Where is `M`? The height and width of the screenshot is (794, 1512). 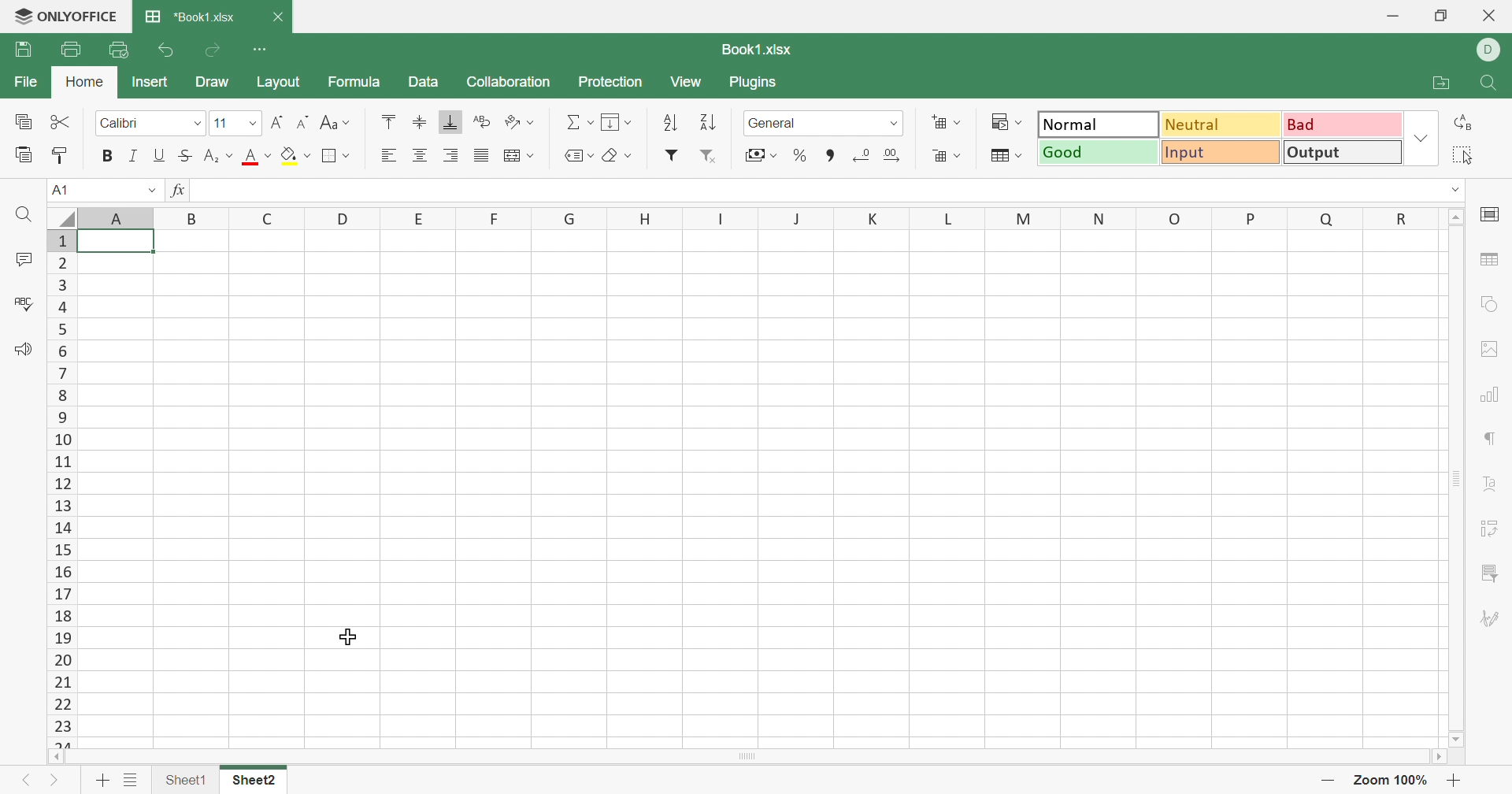 M is located at coordinates (1026, 220).